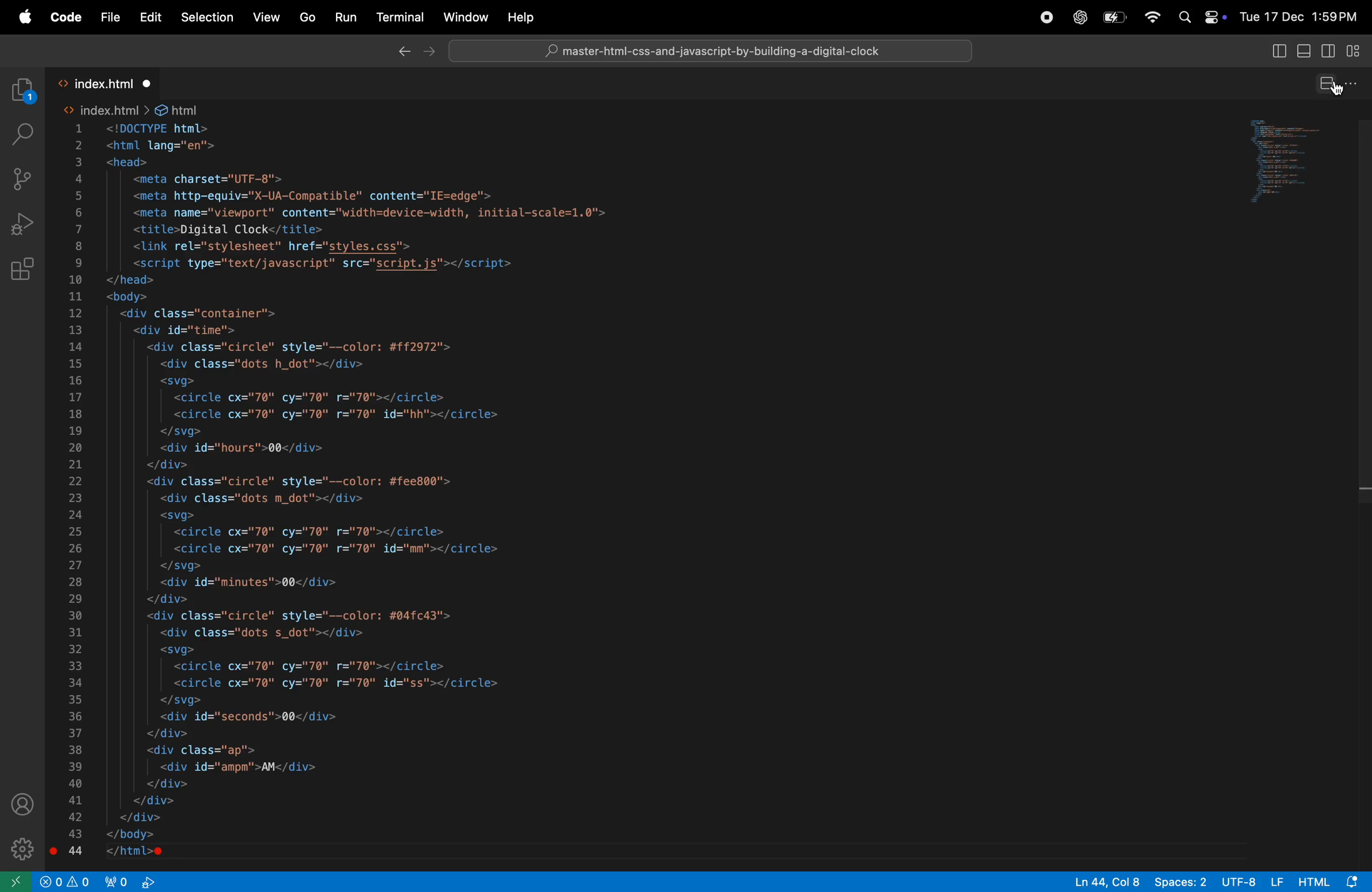 The image size is (1372, 892). What do you see at coordinates (78, 490) in the screenshot?
I see `line index` at bounding box center [78, 490].